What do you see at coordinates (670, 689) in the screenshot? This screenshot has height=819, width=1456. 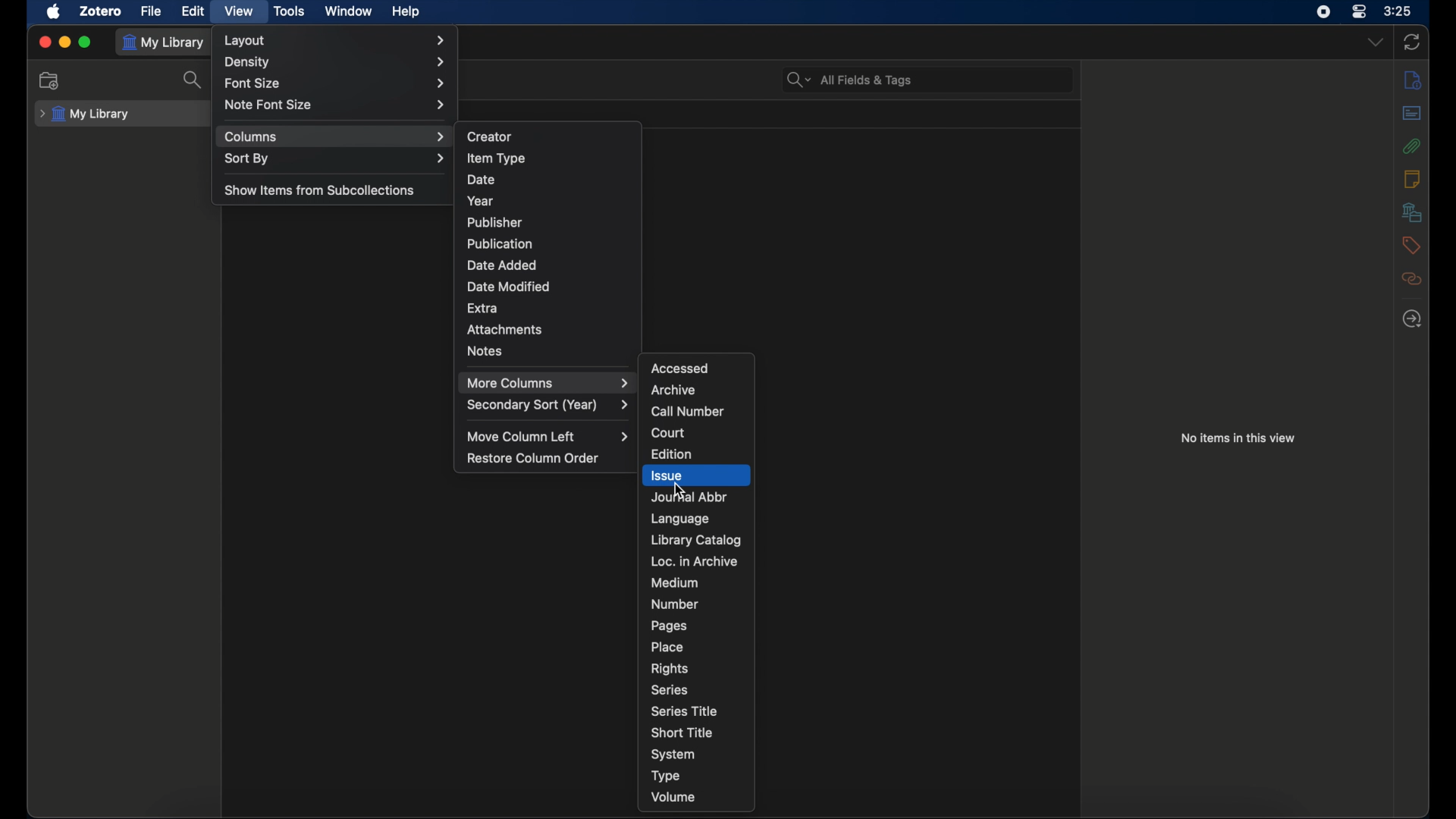 I see `series` at bounding box center [670, 689].